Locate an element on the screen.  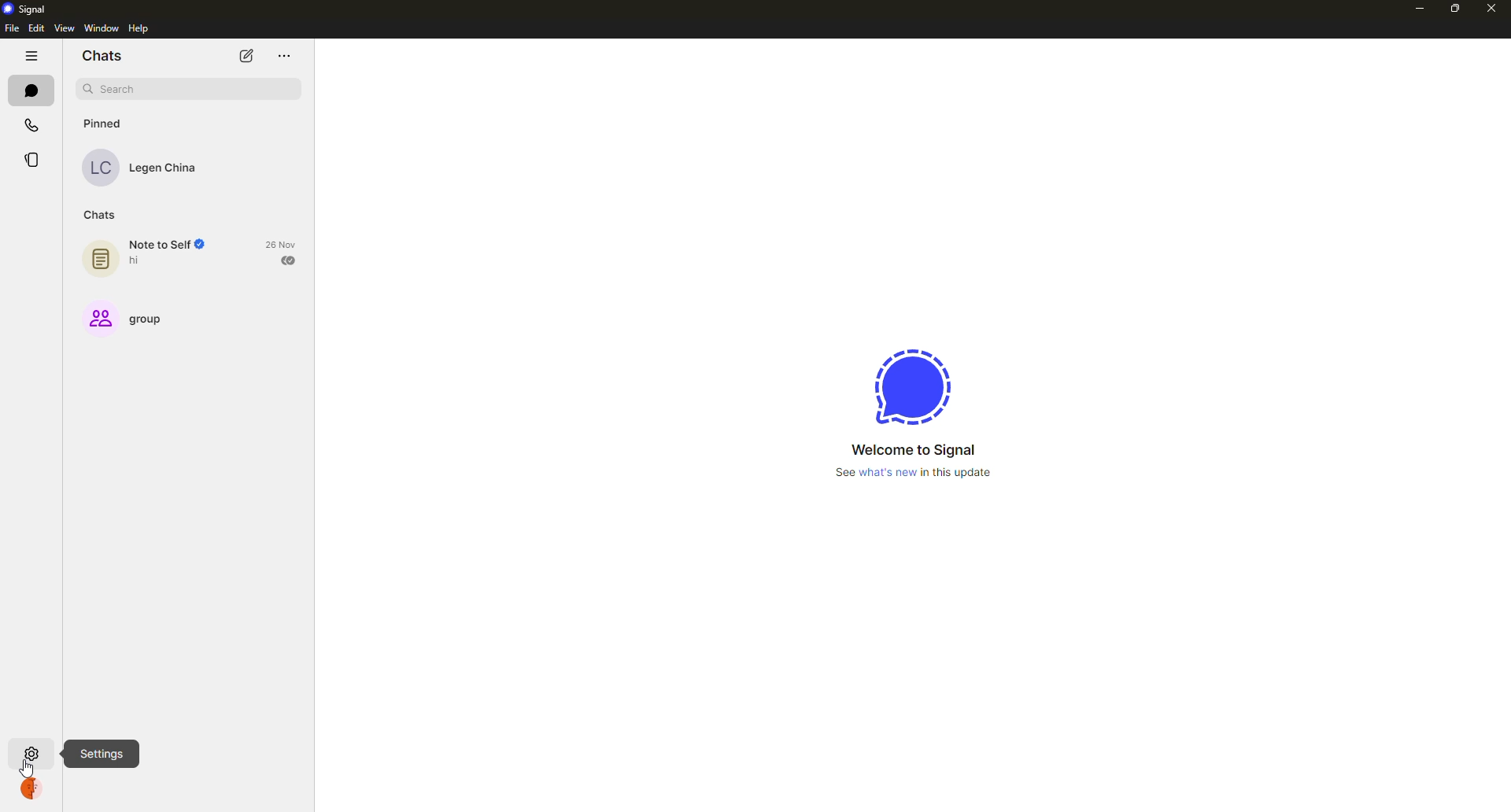
view is located at coordinates (63, 28).